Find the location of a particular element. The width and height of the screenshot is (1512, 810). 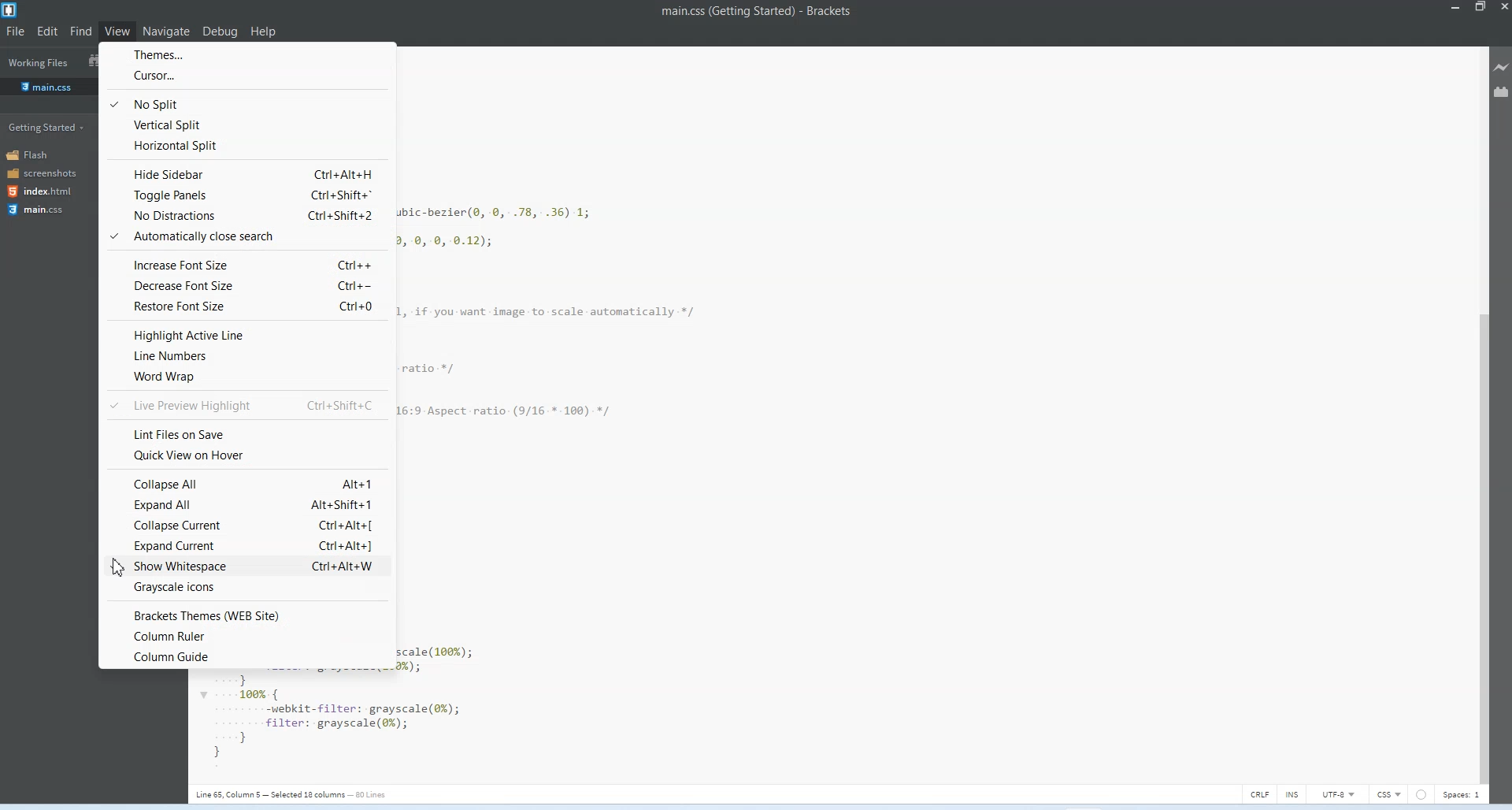

column guide is located at coordinates (246, 657).